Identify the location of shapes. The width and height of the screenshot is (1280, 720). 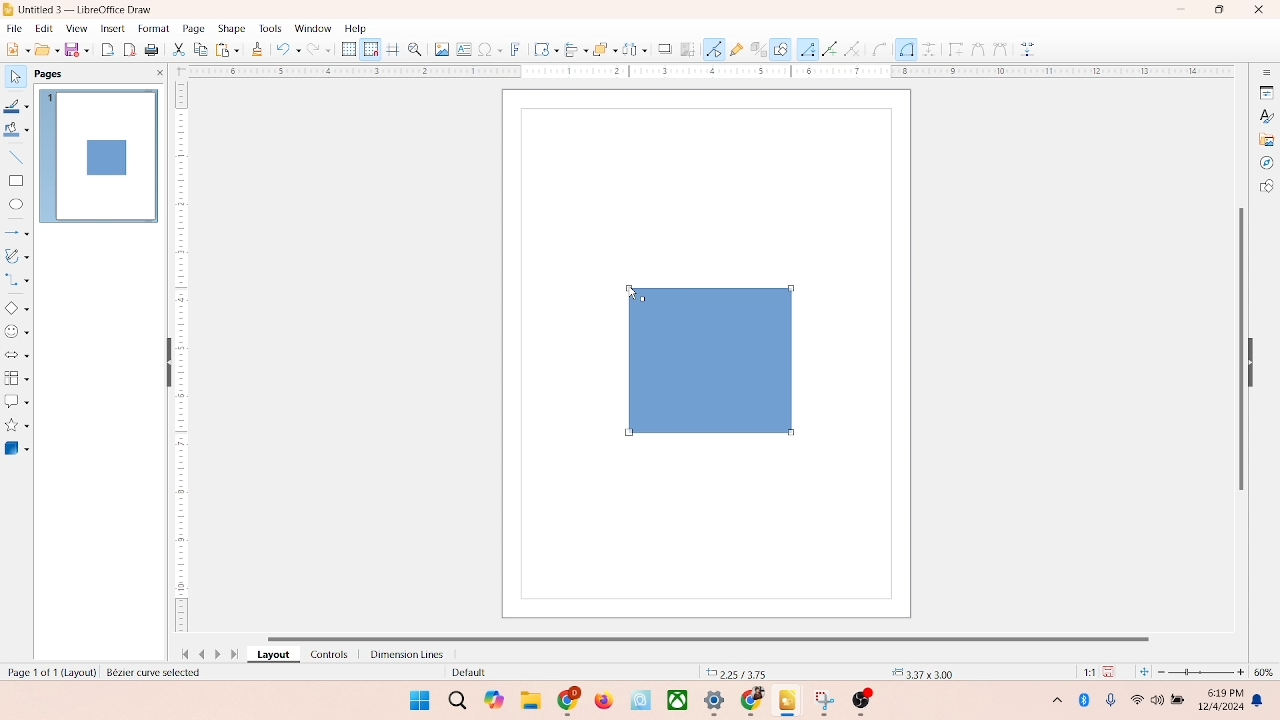
(706, 359).